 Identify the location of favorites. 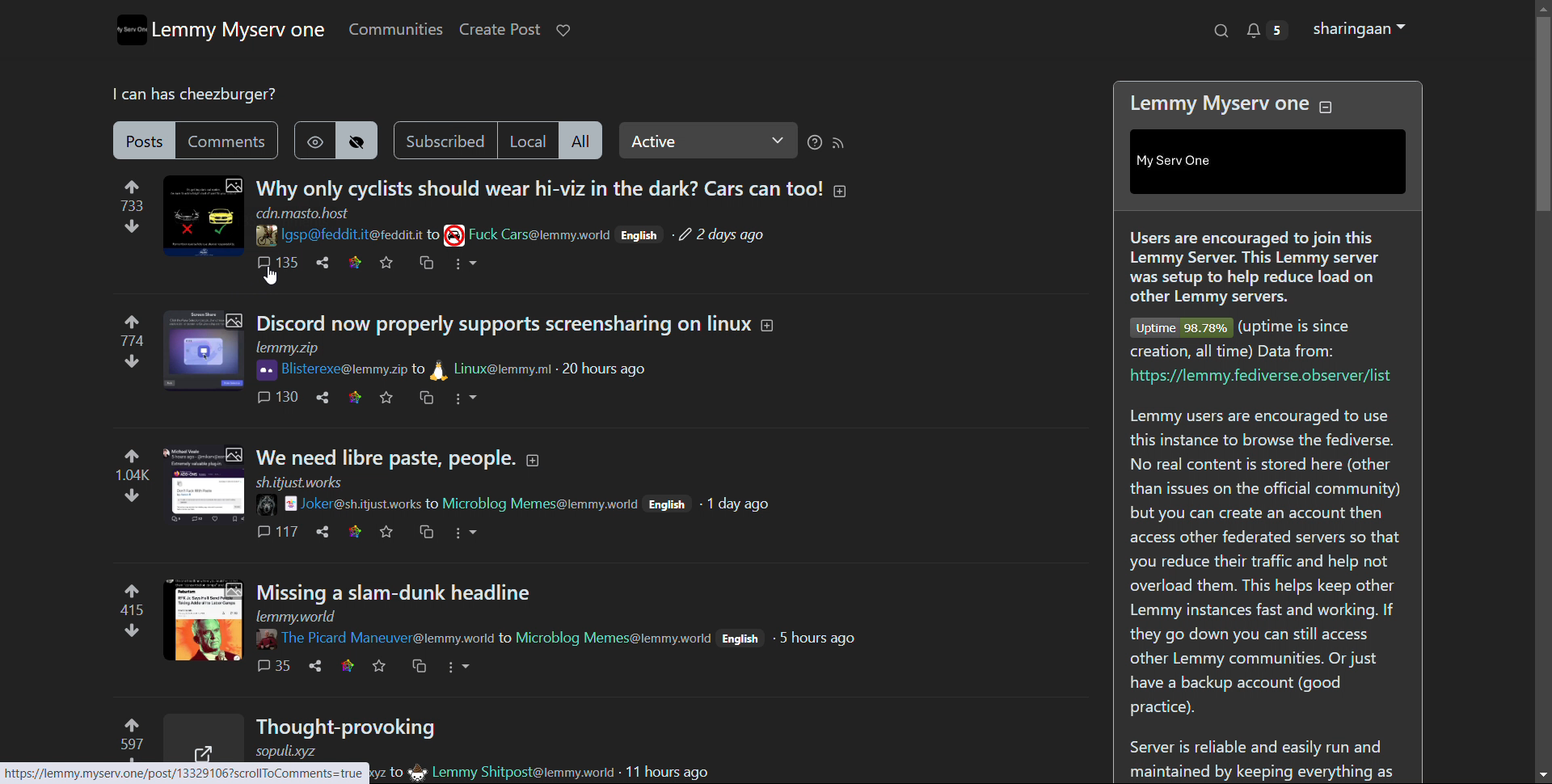
(387, 263).